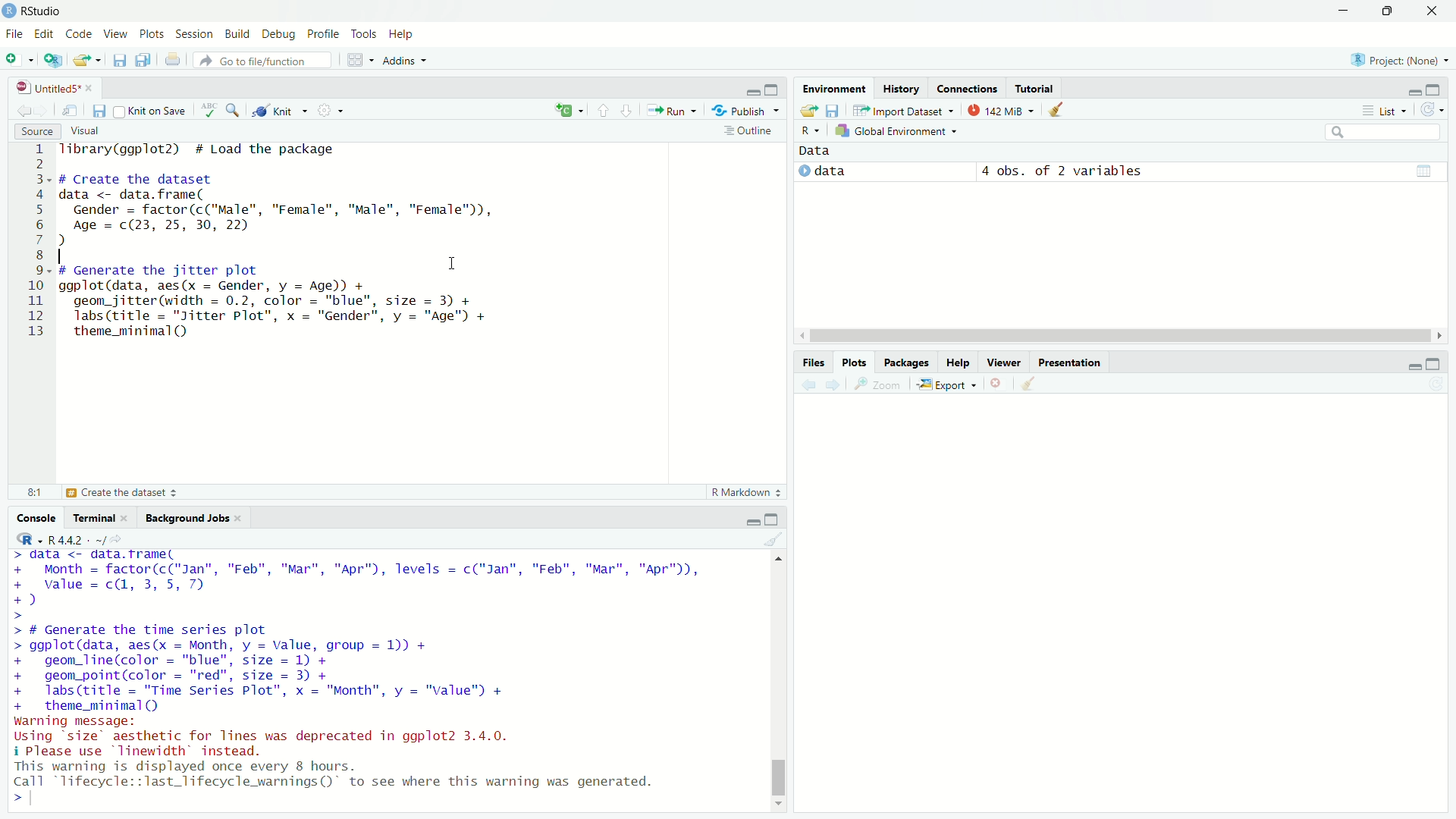  I want to click on minimize, so click(1408, 364).